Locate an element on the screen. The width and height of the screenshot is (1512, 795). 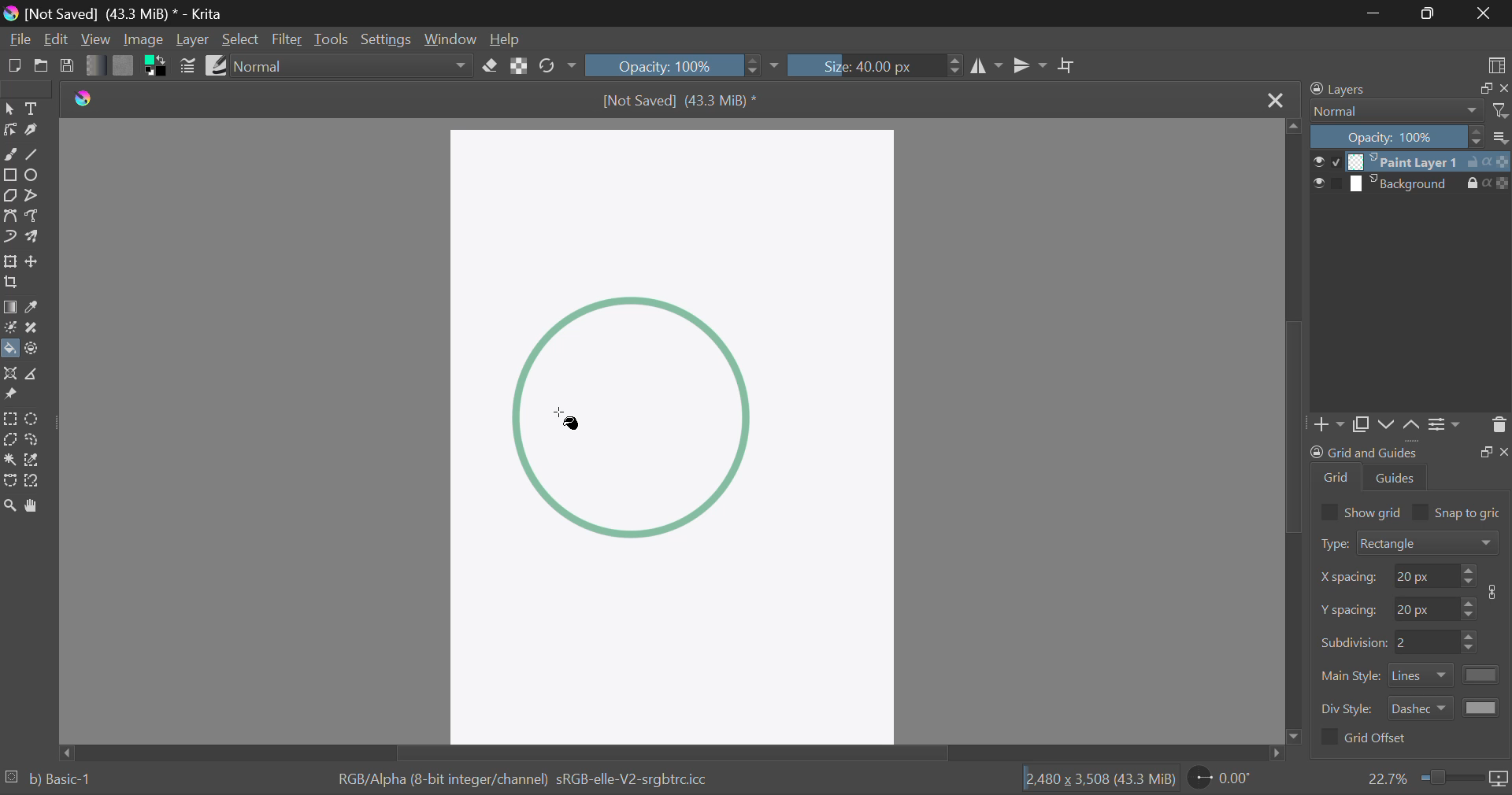
Tools is located at coordinates (332, 39).